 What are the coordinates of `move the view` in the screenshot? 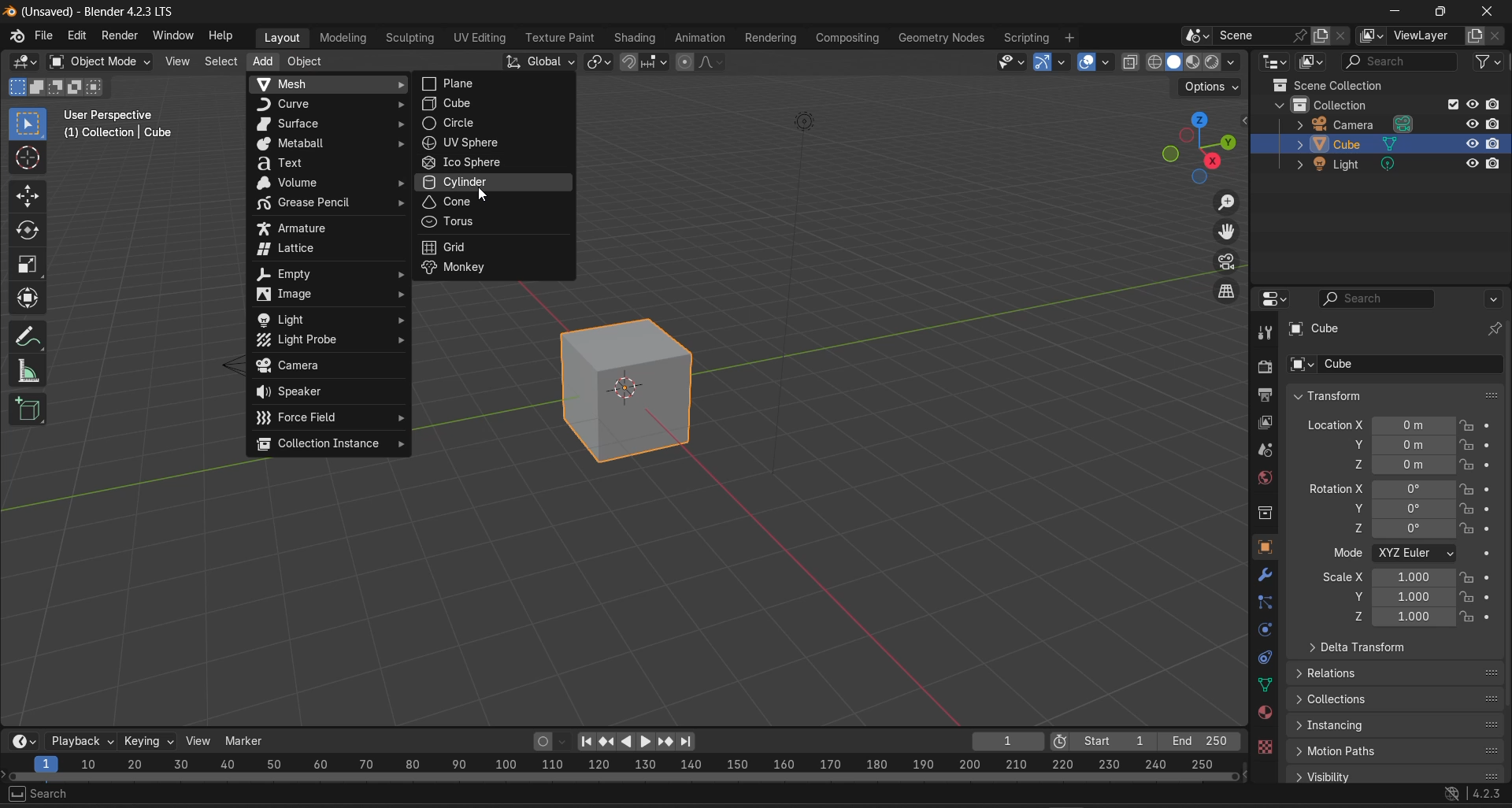 It's located at (1230, 233).